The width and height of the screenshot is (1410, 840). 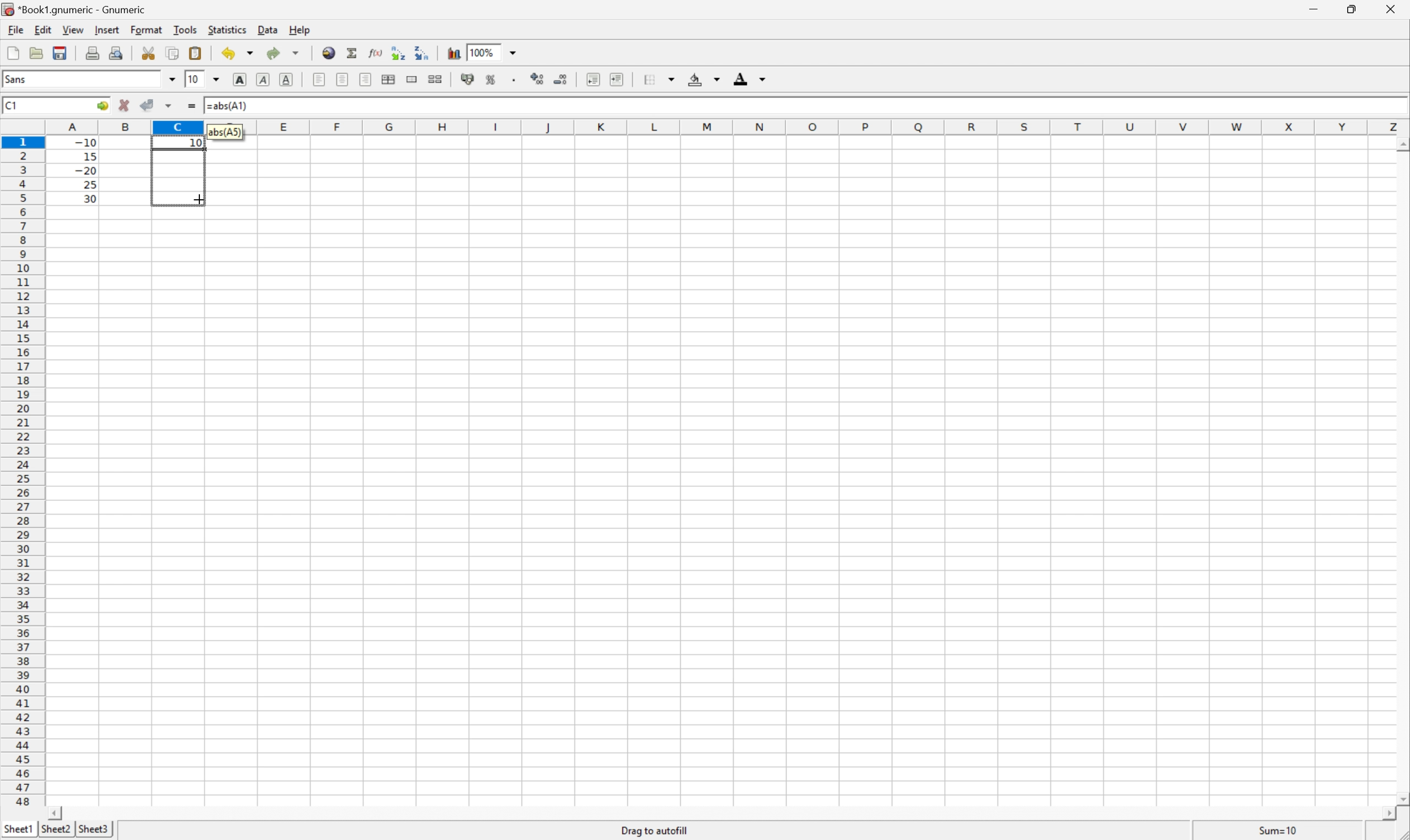 I want to click on Drop Down, so click(x=218, y=78).